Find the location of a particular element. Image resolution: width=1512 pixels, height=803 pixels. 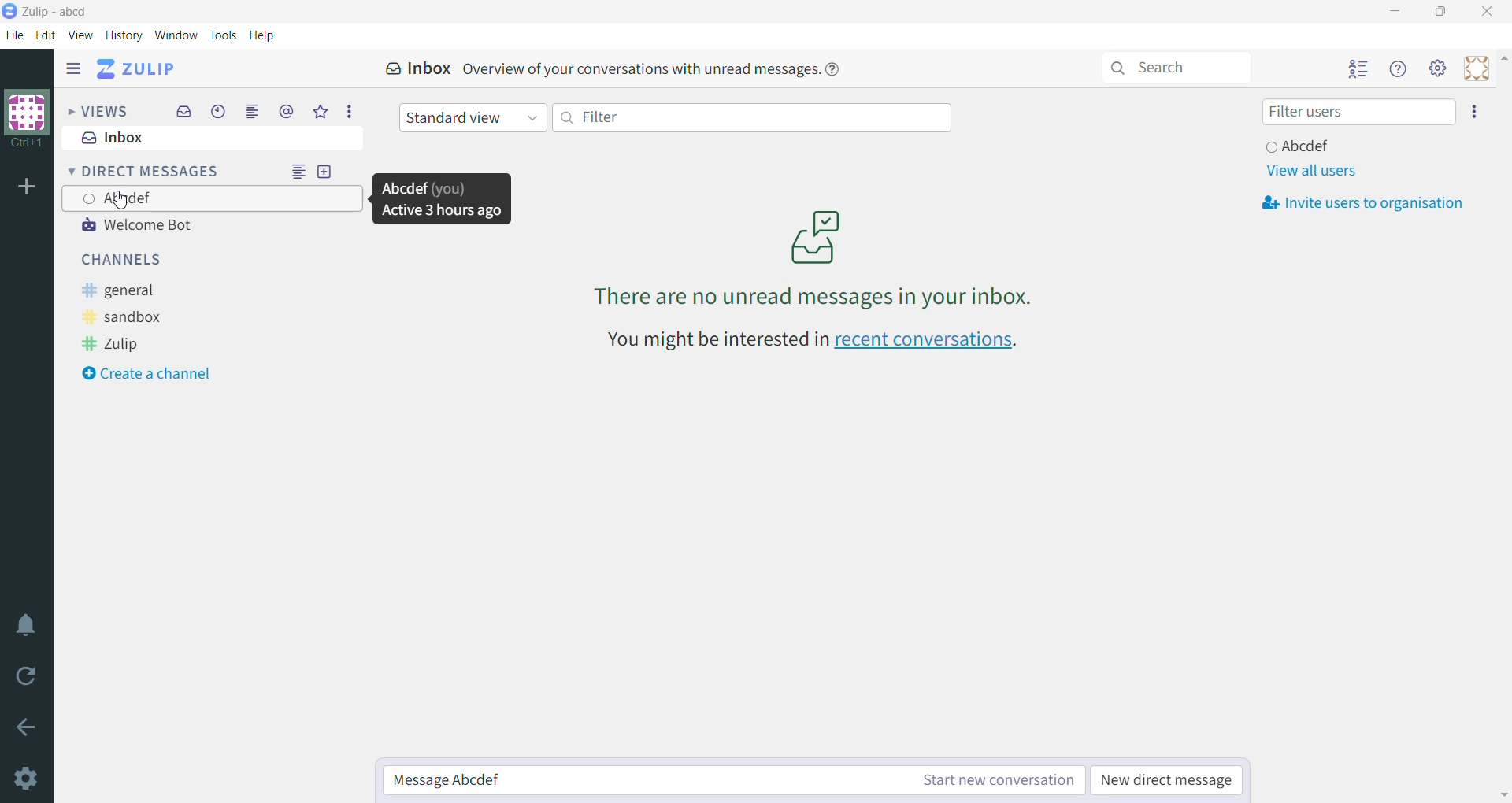

Personal Menu is located at coordinates (1473, 68).